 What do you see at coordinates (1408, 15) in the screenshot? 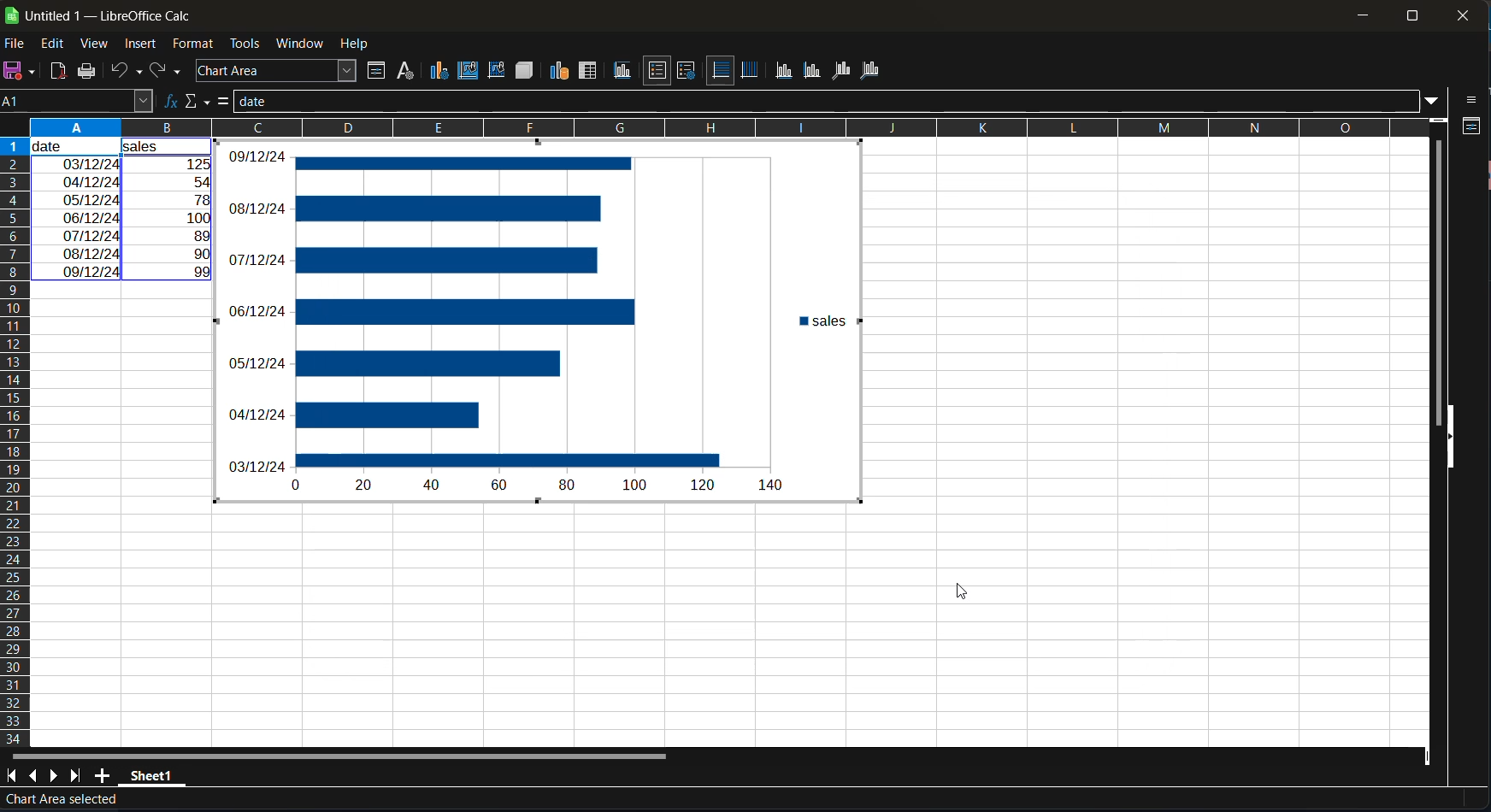
I see `maximize` at bounding box center [1408, 15].